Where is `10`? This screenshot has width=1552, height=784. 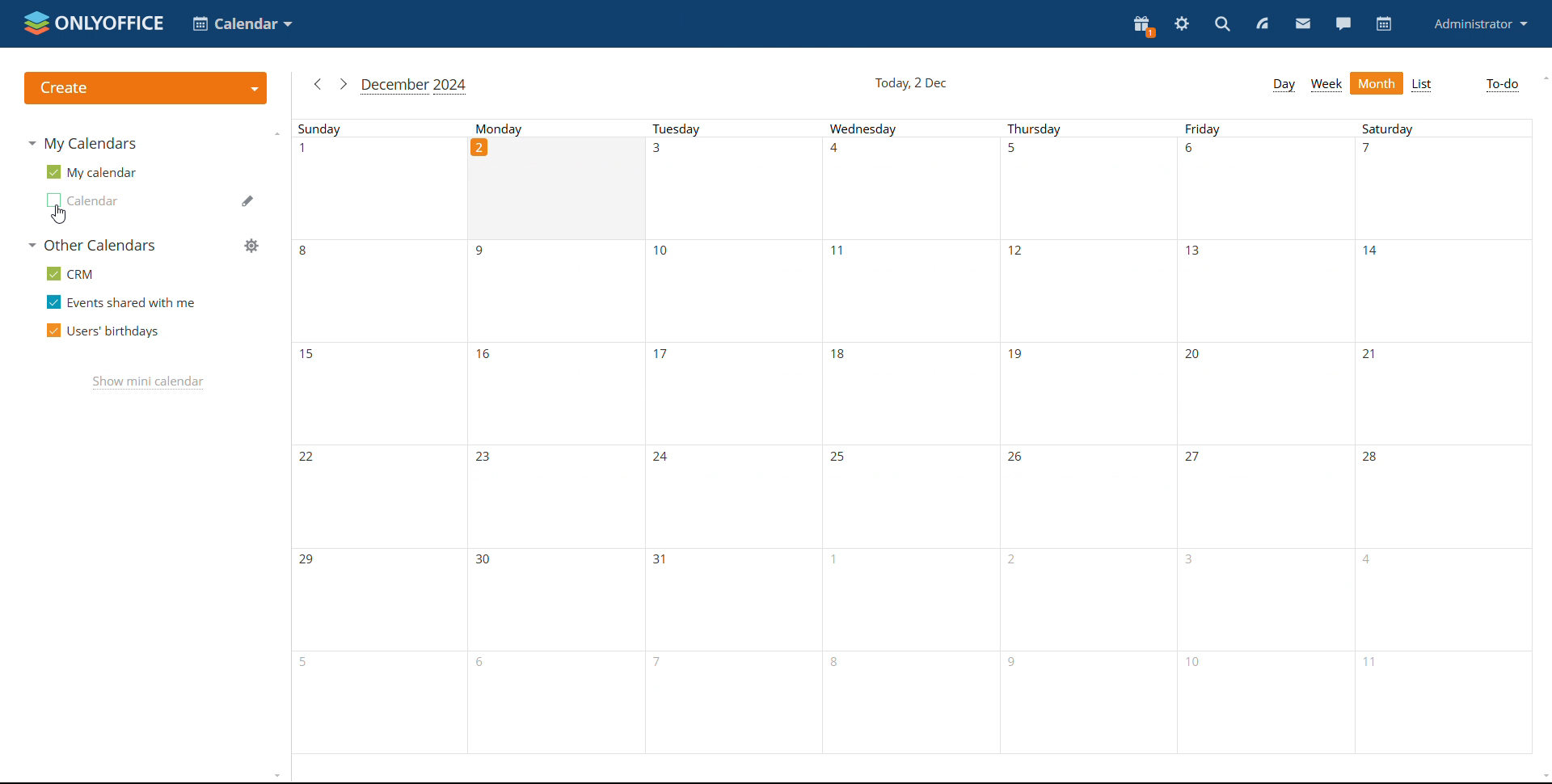 10 is located at coordinates (1264, 700).